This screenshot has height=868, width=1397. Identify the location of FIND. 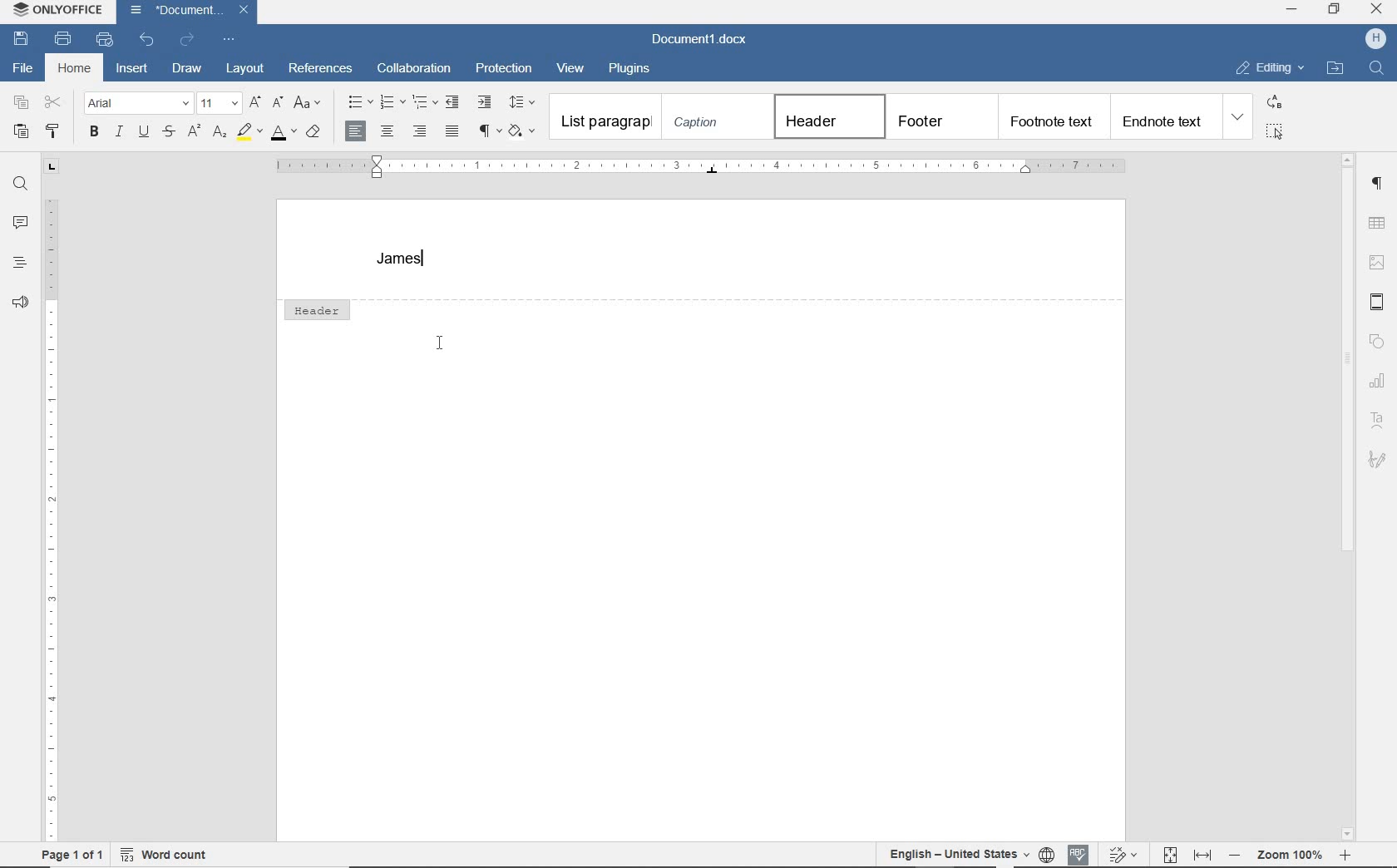
(1375, 70).